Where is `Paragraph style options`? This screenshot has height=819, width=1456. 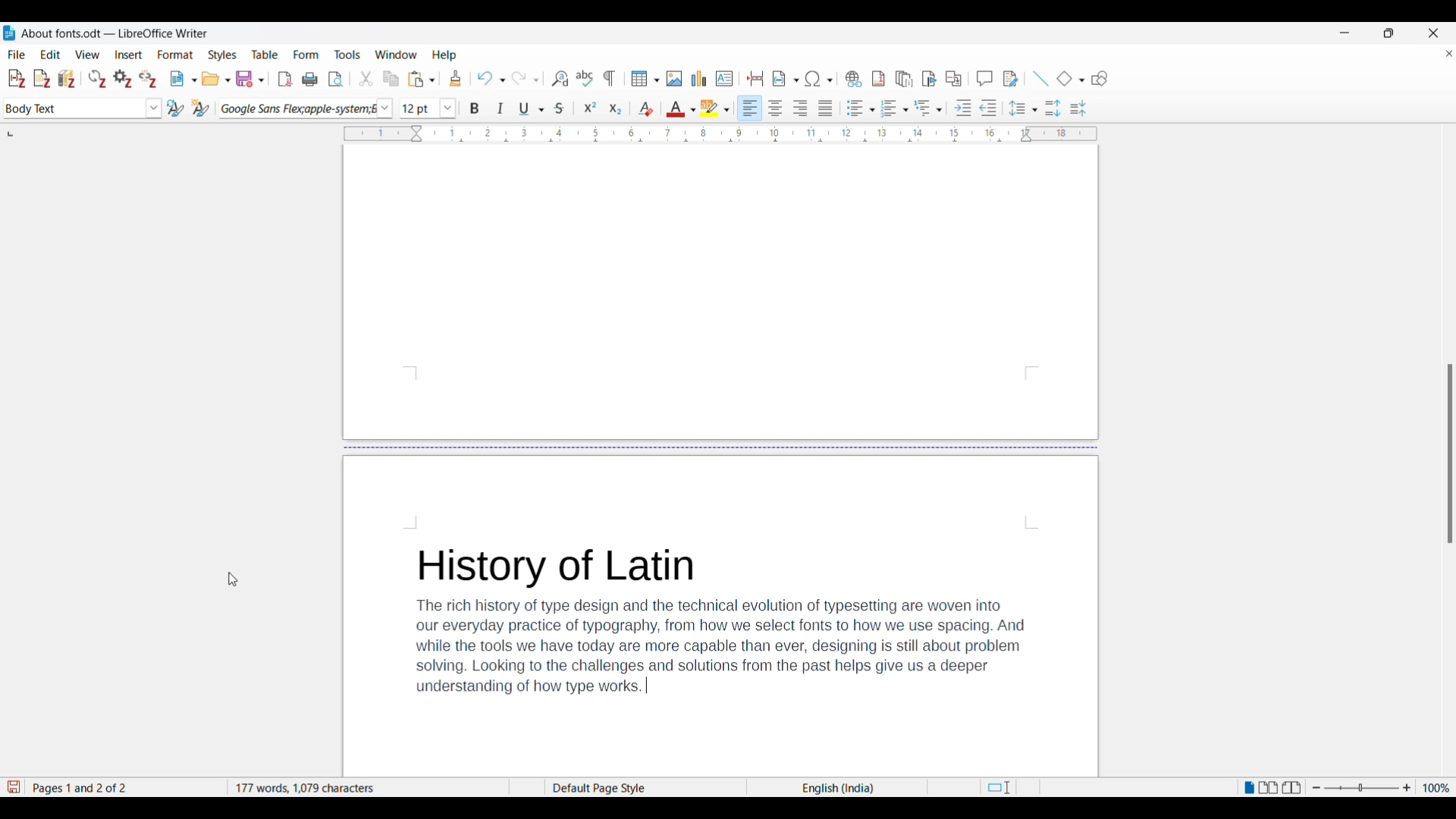
Paragraph style options is located at coordinates (154, 108).